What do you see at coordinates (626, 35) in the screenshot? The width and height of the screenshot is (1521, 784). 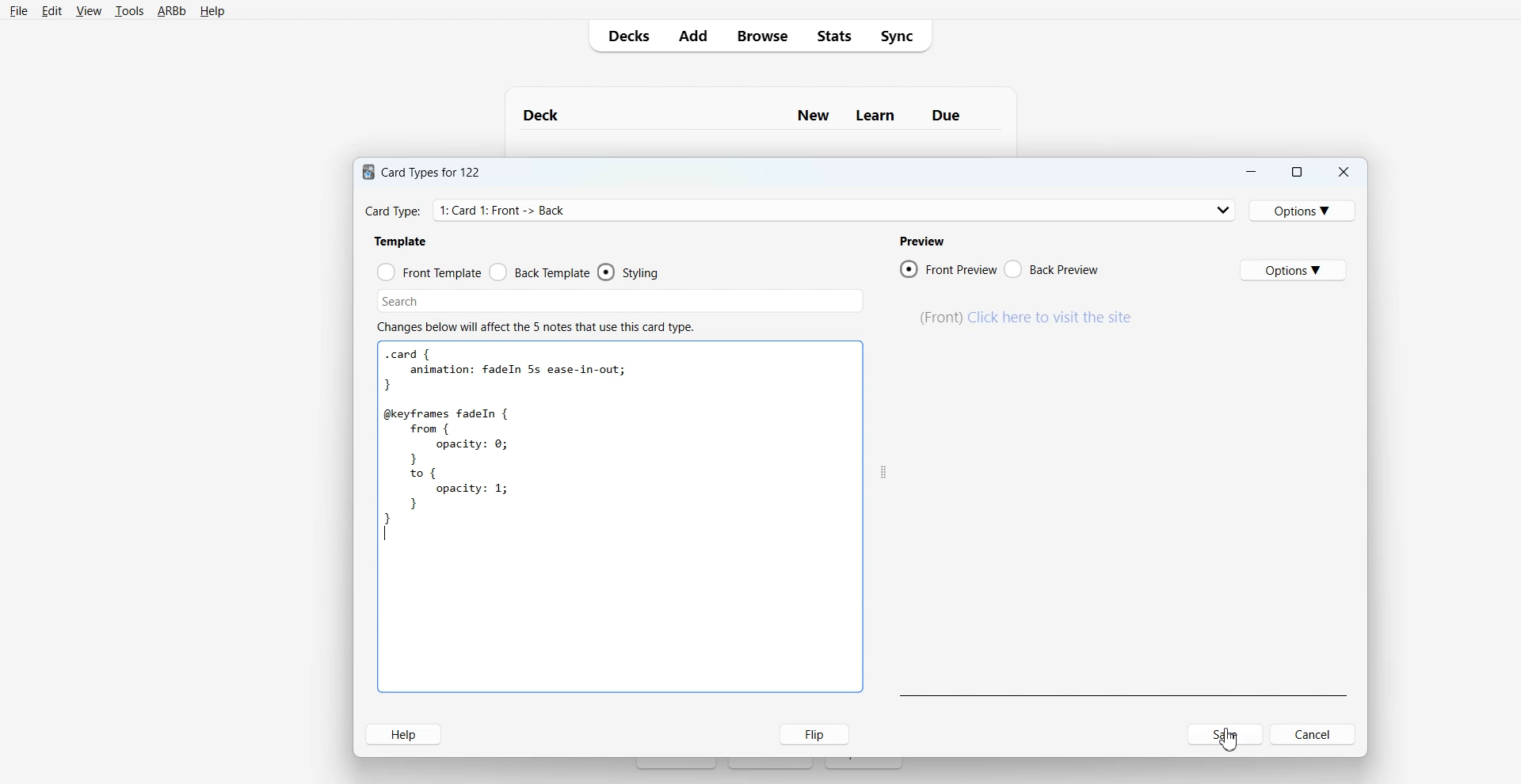 I see `Decks ` at bounding box center [626, 35].